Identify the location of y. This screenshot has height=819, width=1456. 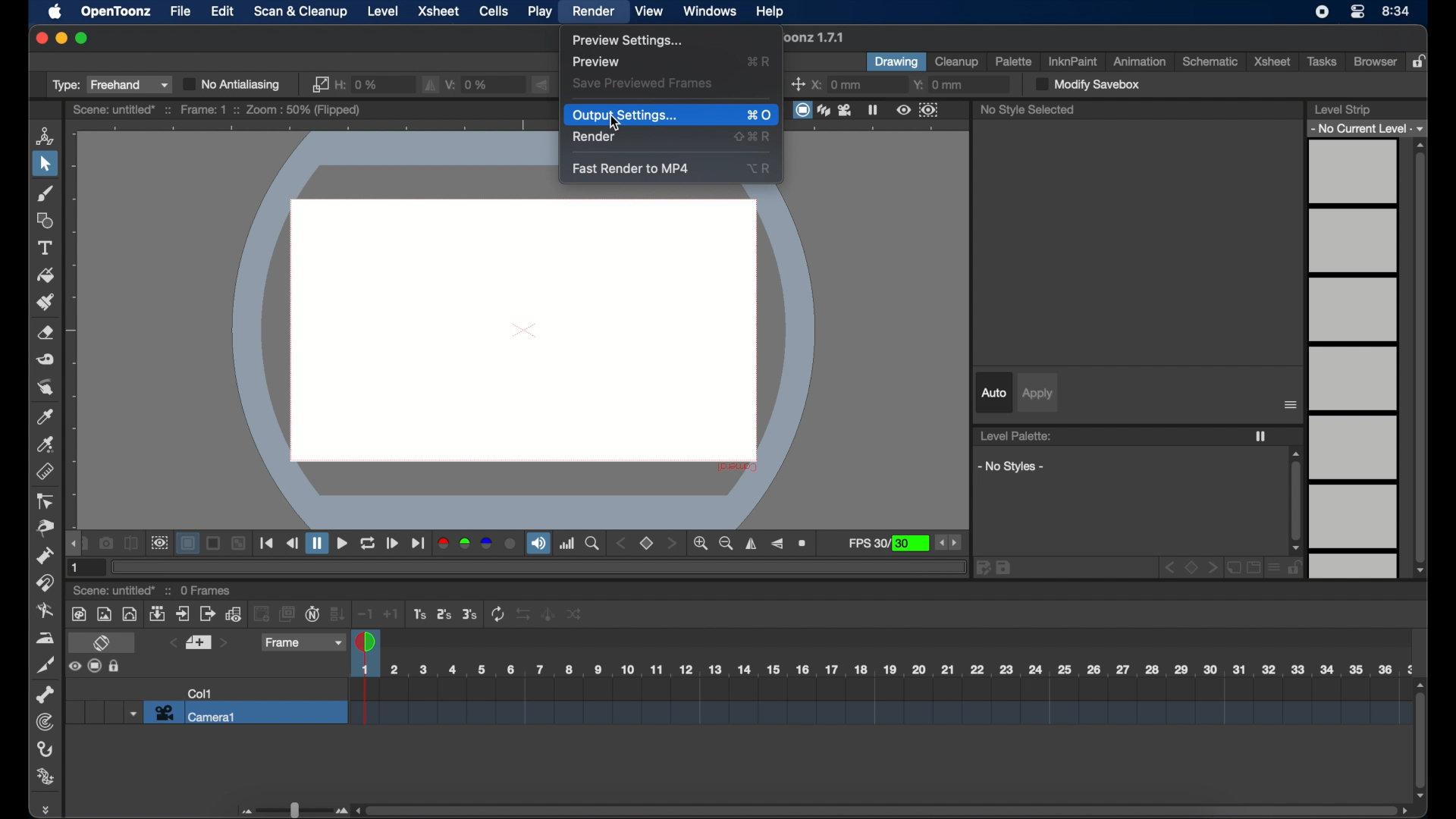
(939, 85).